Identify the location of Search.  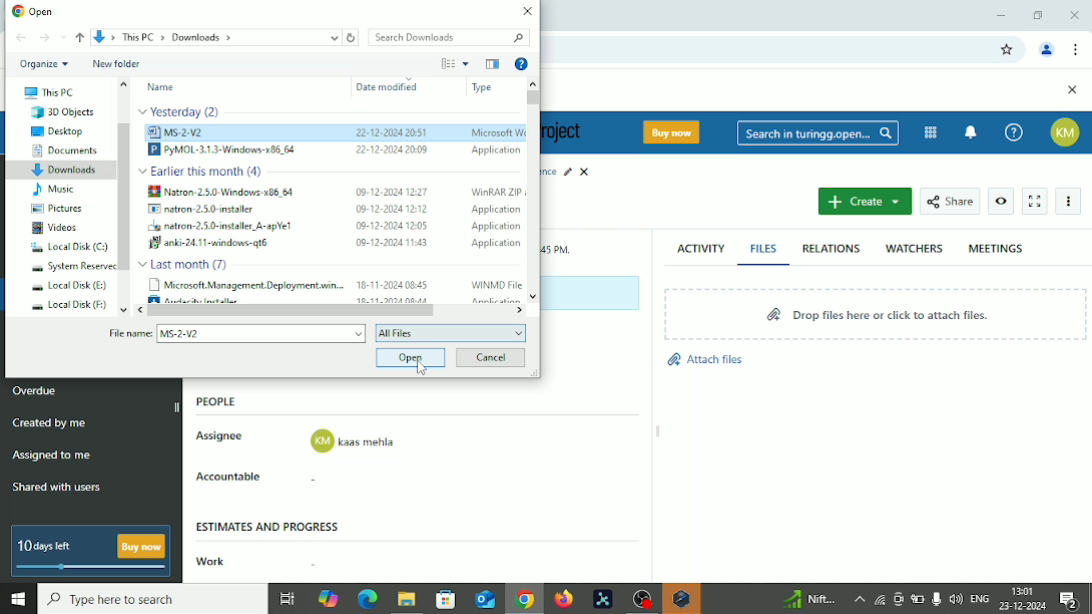
(818, 134).